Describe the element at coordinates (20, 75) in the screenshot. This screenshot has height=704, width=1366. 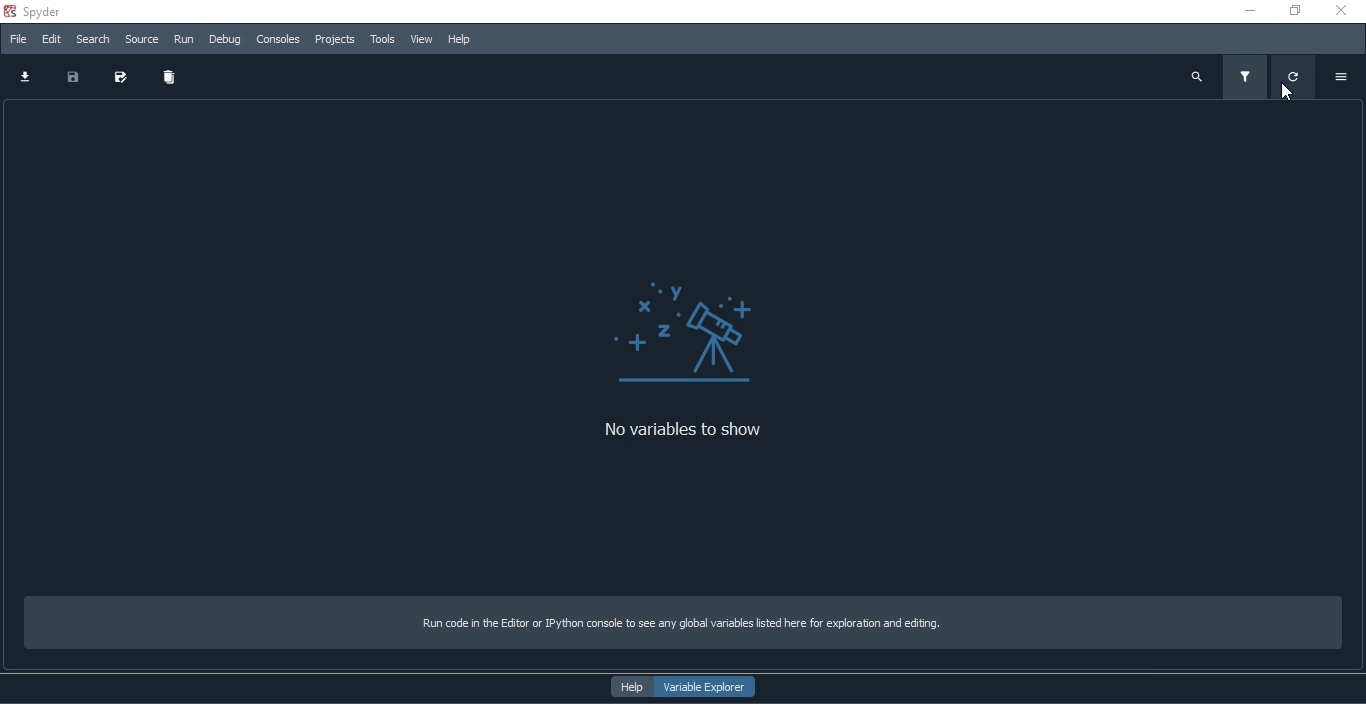
I see `download` at that location.